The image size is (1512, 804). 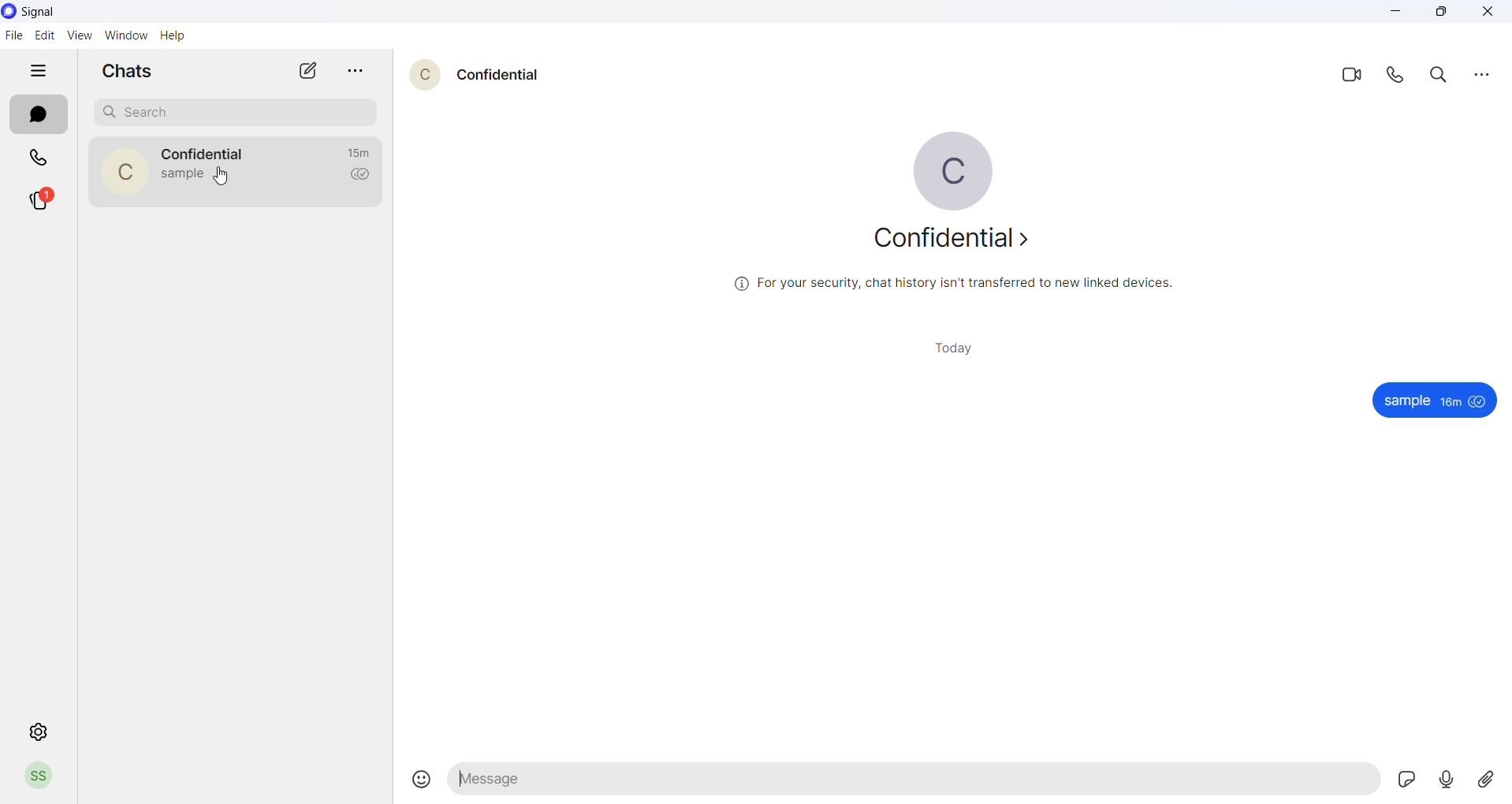 What do you see at coordinates (497, 77) in the screenshot?
I see `confidential` at bounding box center [497, 77].